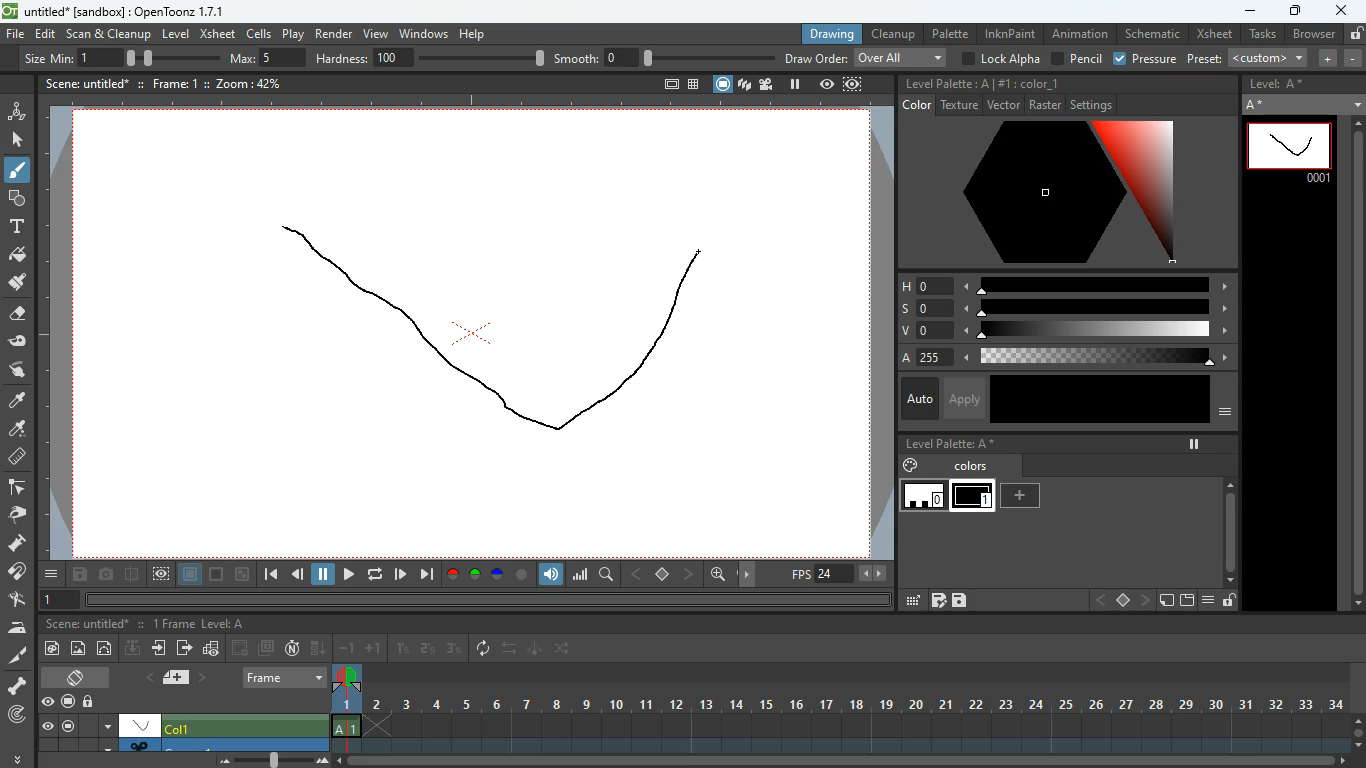 This screenshot has width=1366, height=768. Describe the element at coordinates (769, 84) in the screenshot. I see `filme` at that location.